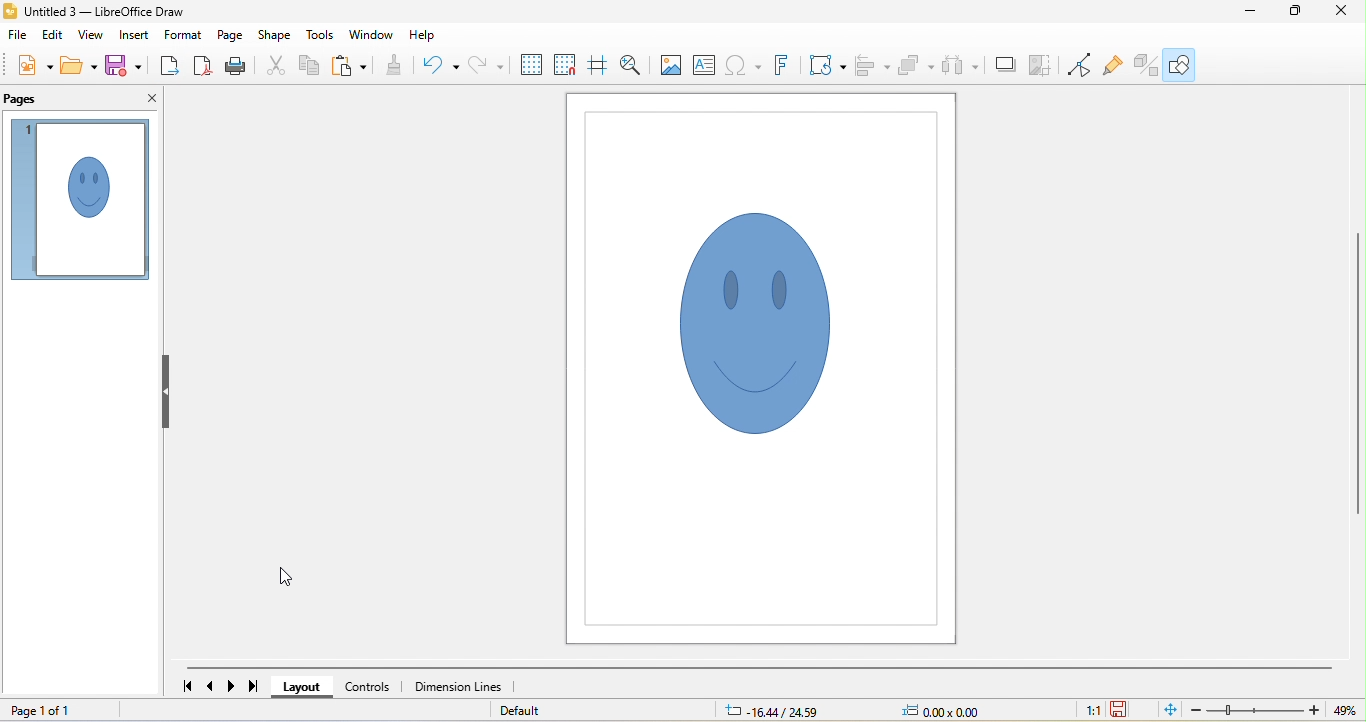 The image size is (1366, 722). Describe the element at coordinates (1121, 709) in the screenshot. I see `save` at that location.